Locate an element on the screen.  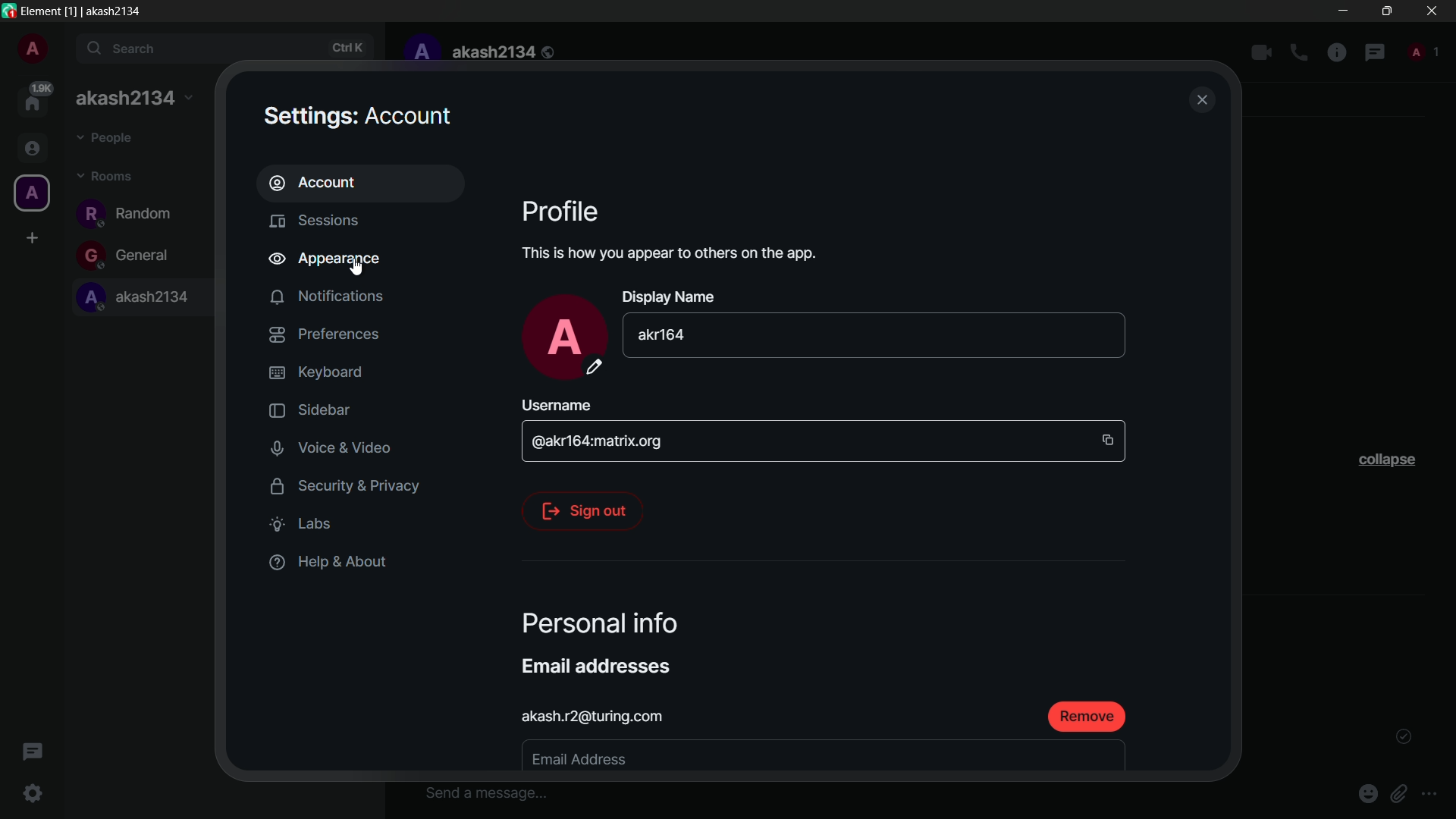
Settings: Account is located at coordinates (362, 118).